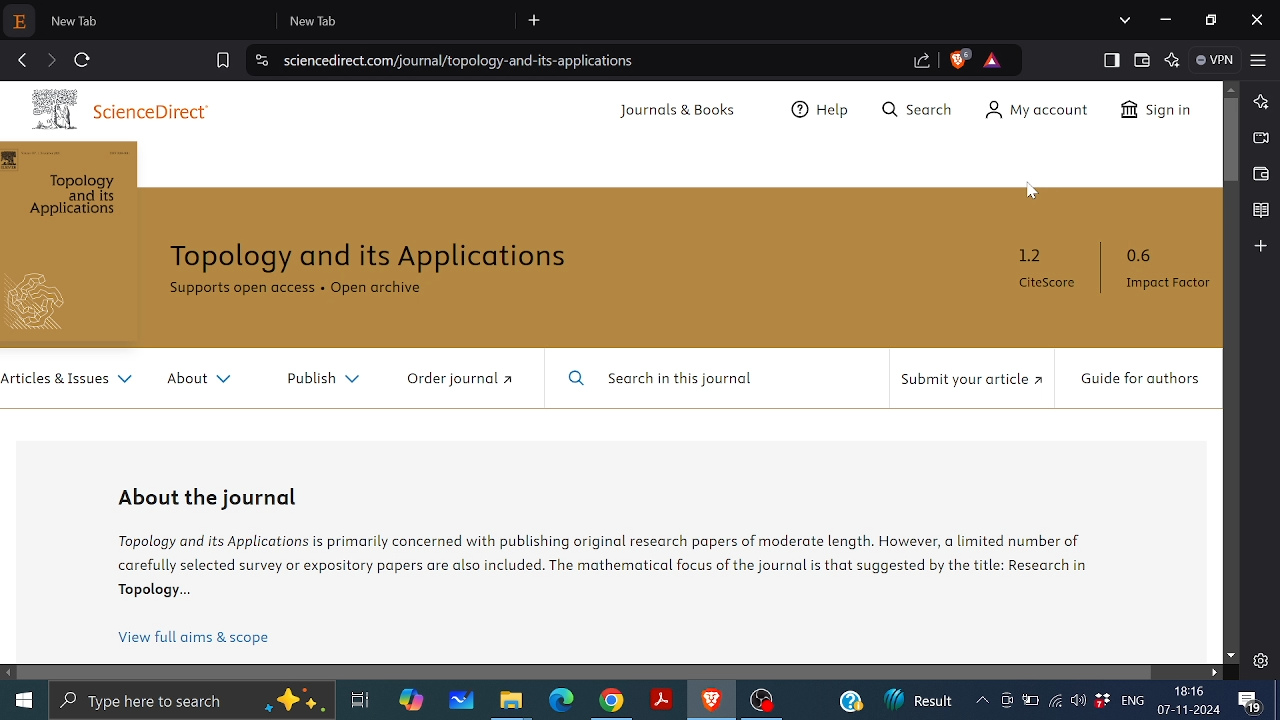 The width and height of the screenshot is (1280, 720). What do you see at coordinates (1109, 60) in the screenshot?
I see `Show sidebar` at bounding box center [1109, 60].